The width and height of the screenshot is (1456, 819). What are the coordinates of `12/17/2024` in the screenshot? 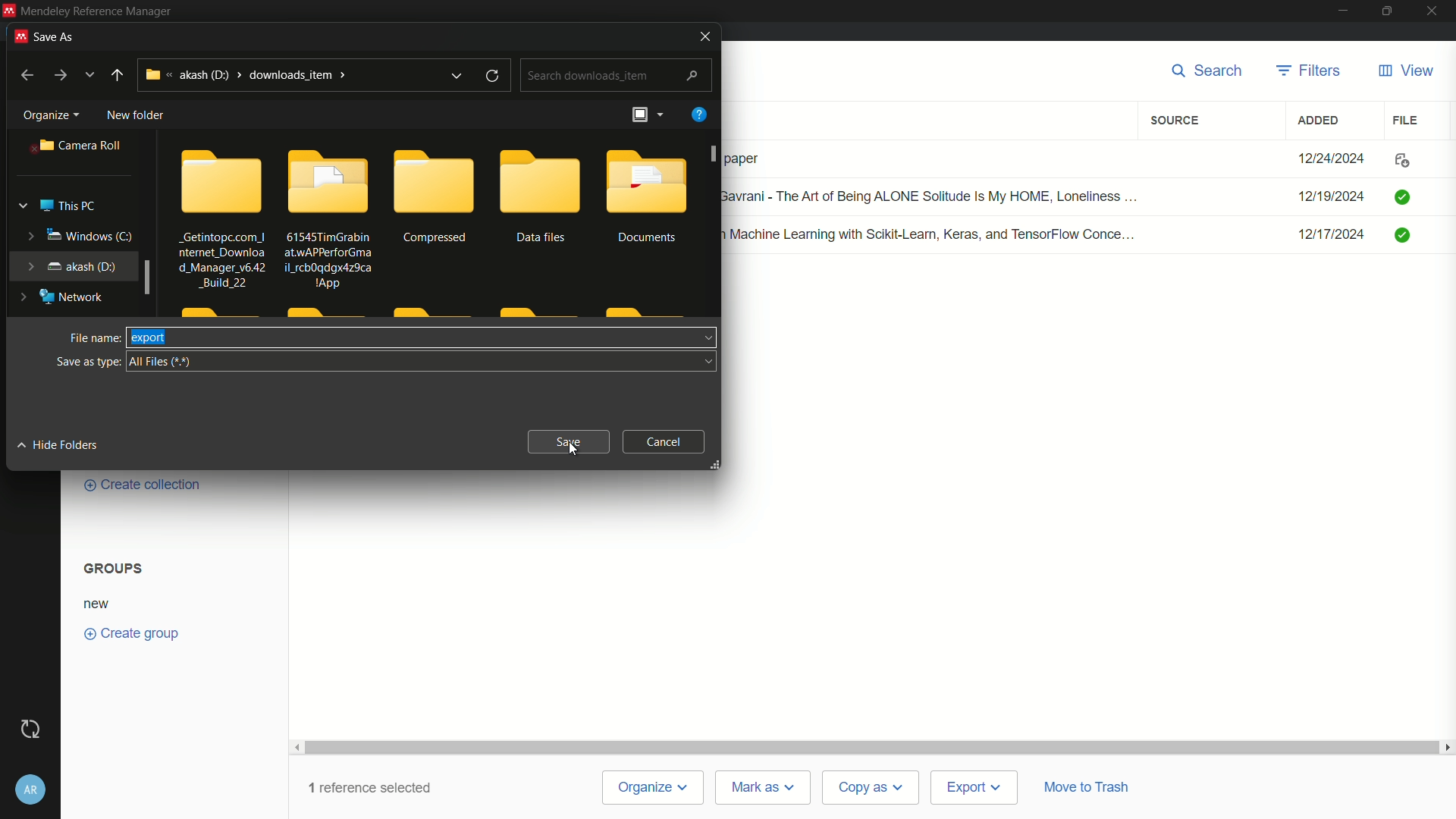 It's located at (1331, 234).